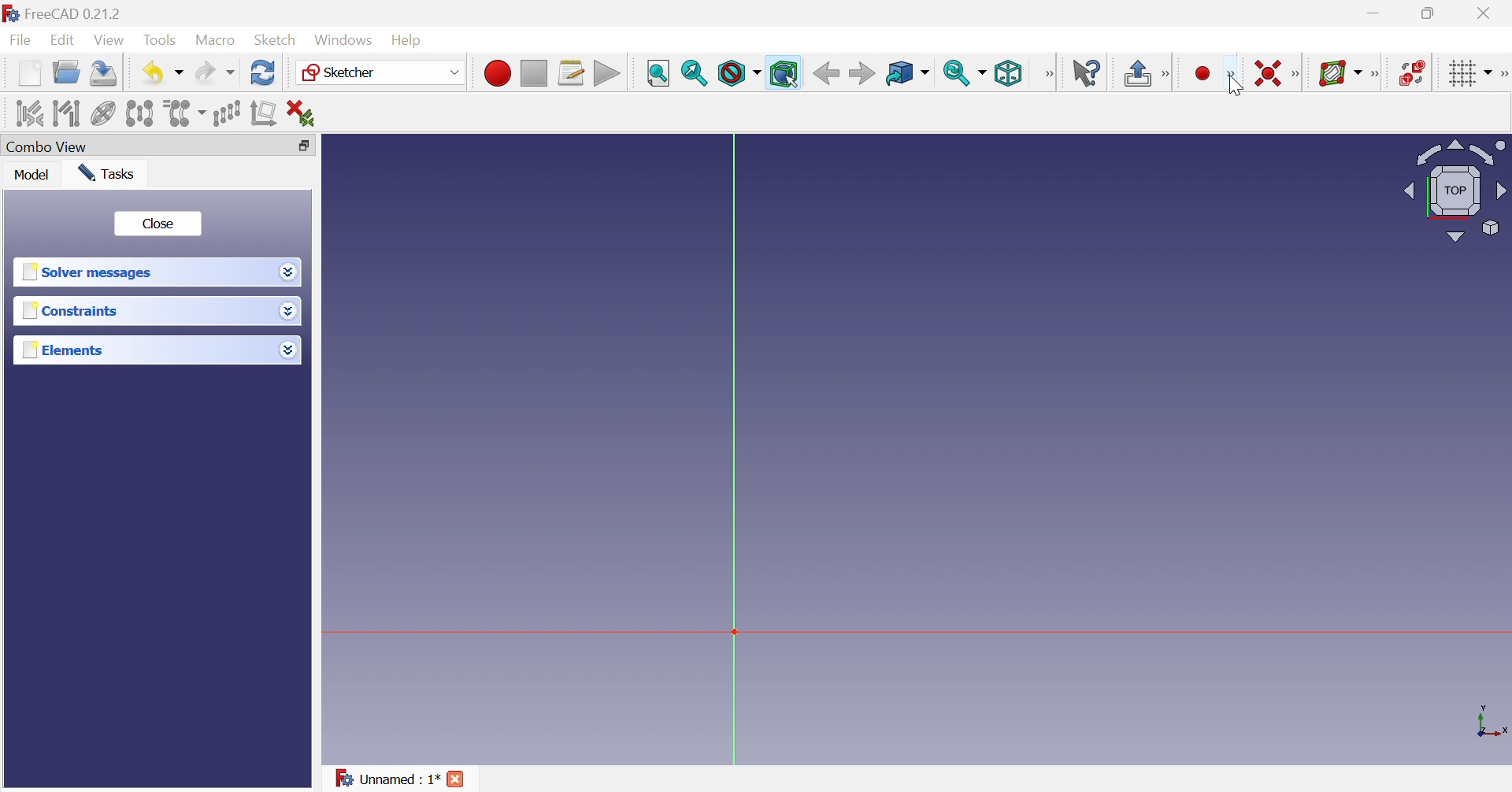 This screenshot has height=792, width=1512. What do you see at coordinates (1202, 74) in the screenshot?
I see `Create point` at bounding box center [1202, 74].